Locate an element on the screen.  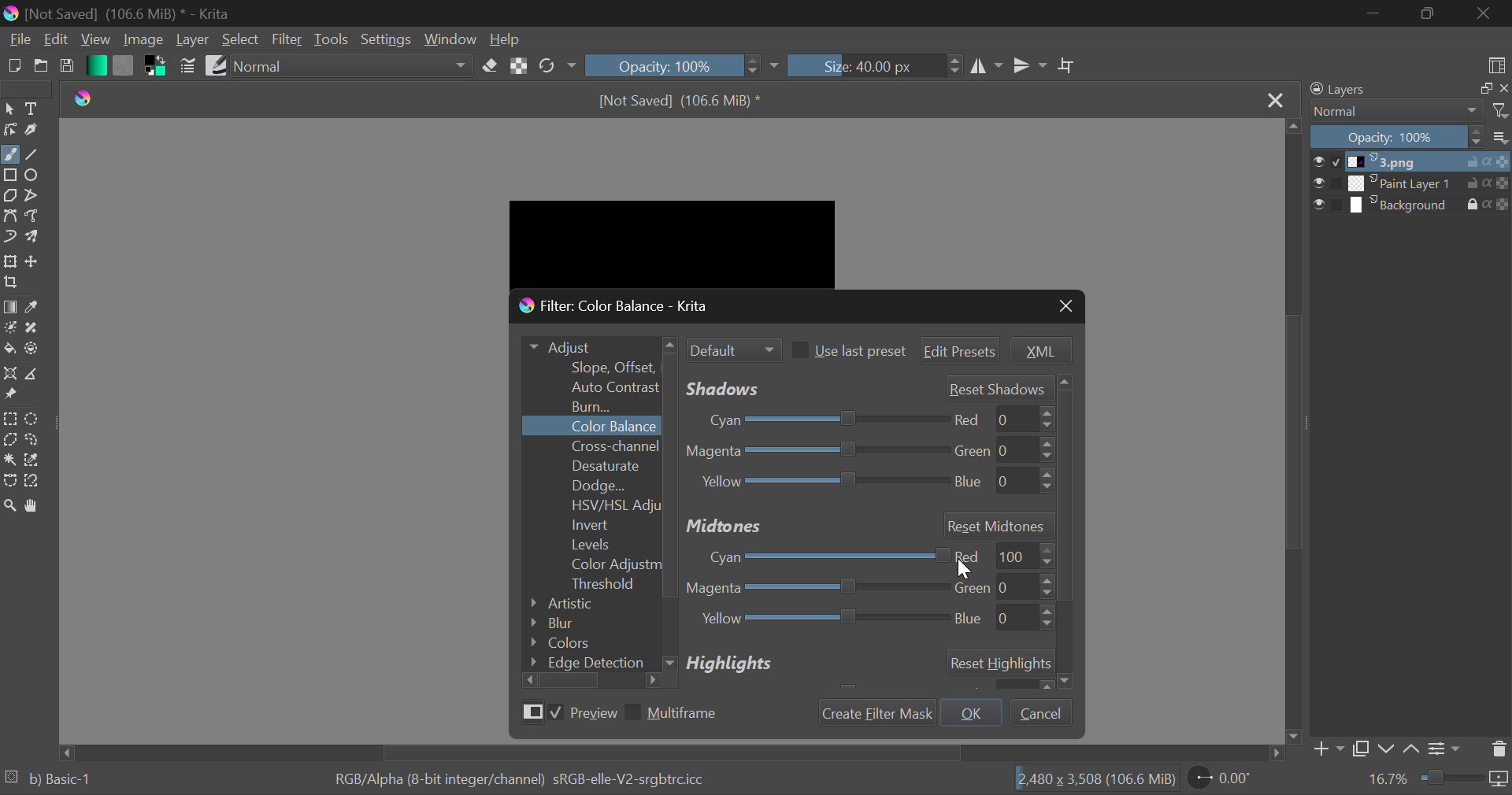
Rotate Image is located at coordinates (556, 66).